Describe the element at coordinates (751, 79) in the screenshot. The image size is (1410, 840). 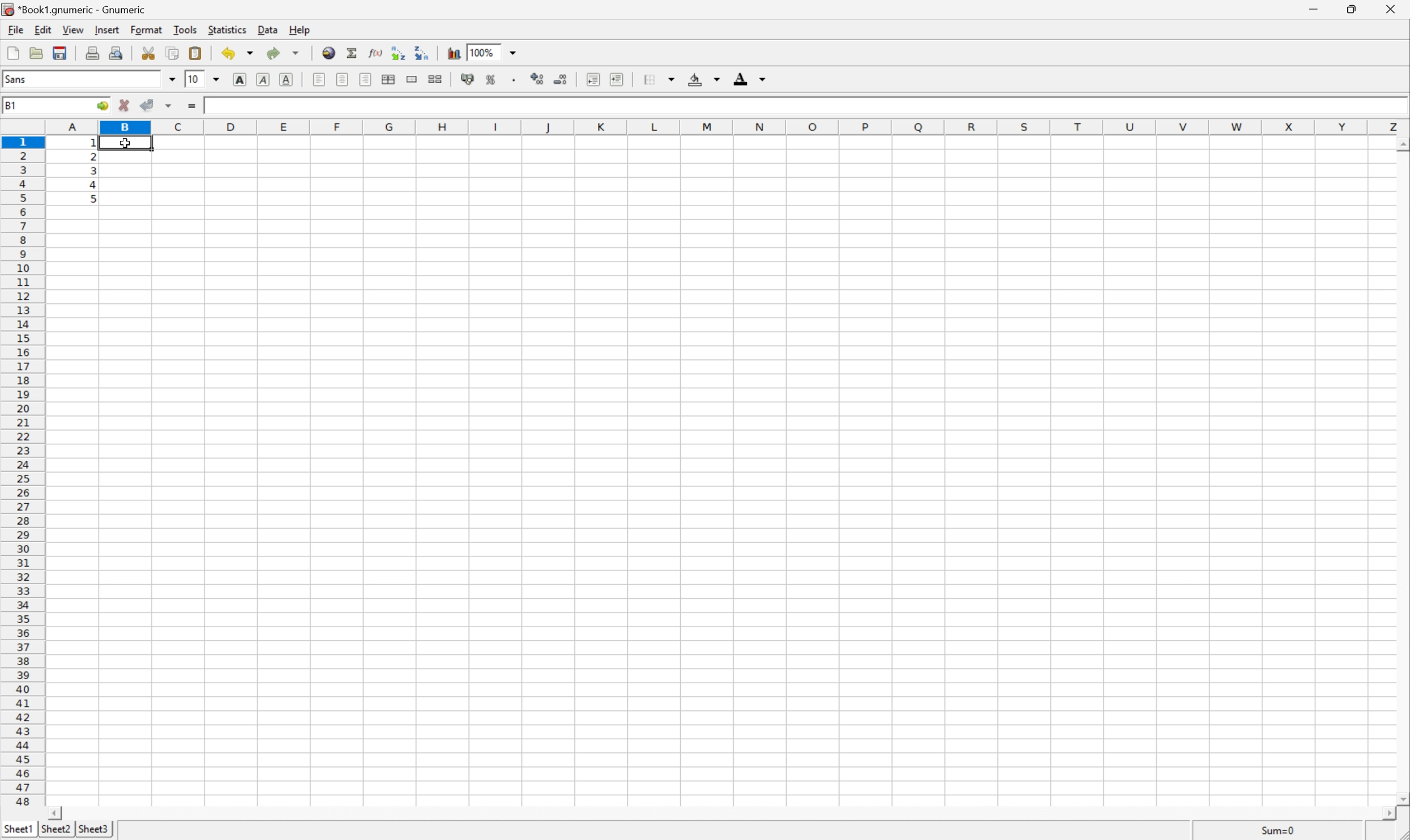
I see `Foreground` at that location.